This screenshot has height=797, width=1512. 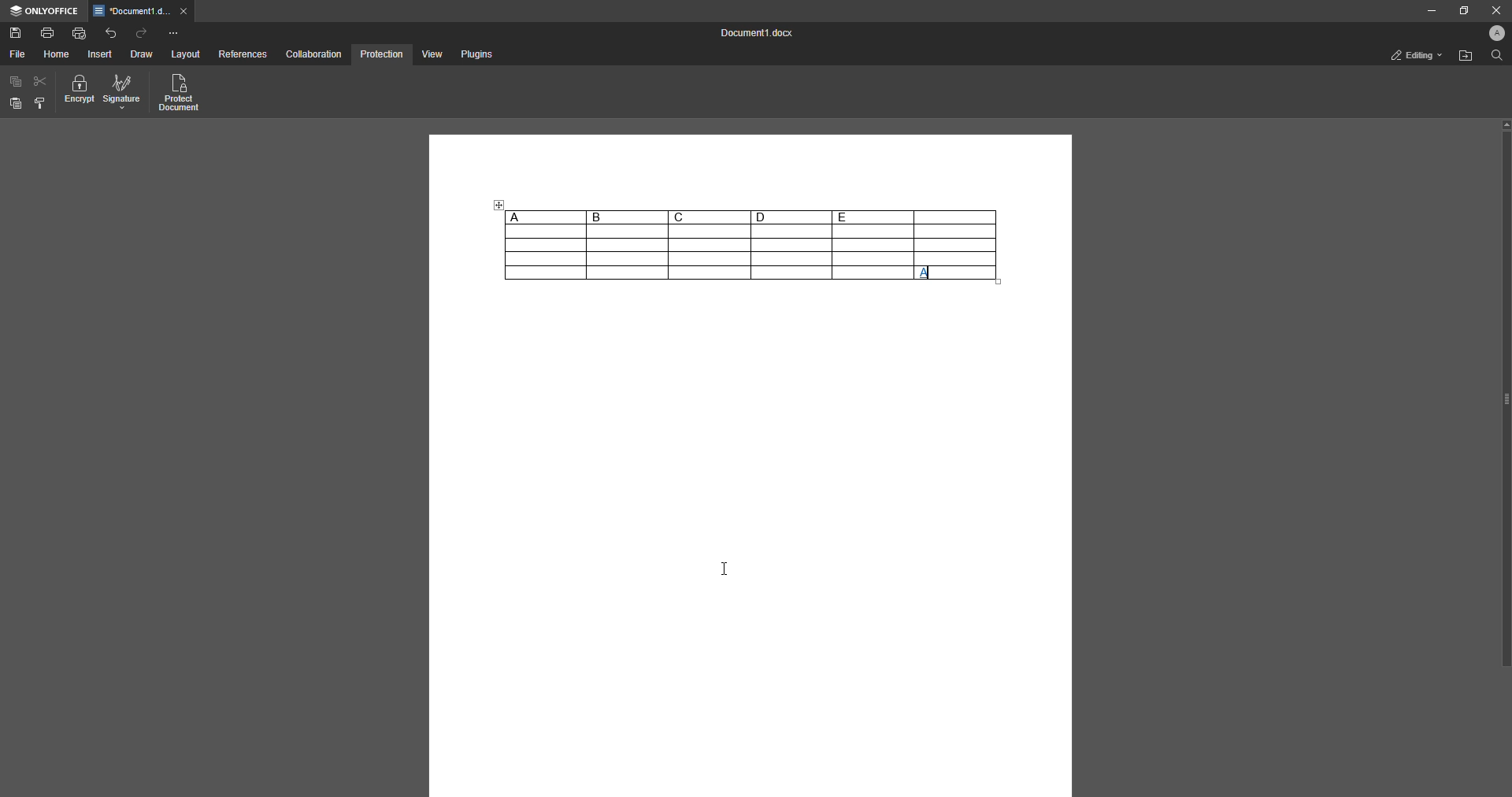 I want to click on Options, so click(x=173, y=33).